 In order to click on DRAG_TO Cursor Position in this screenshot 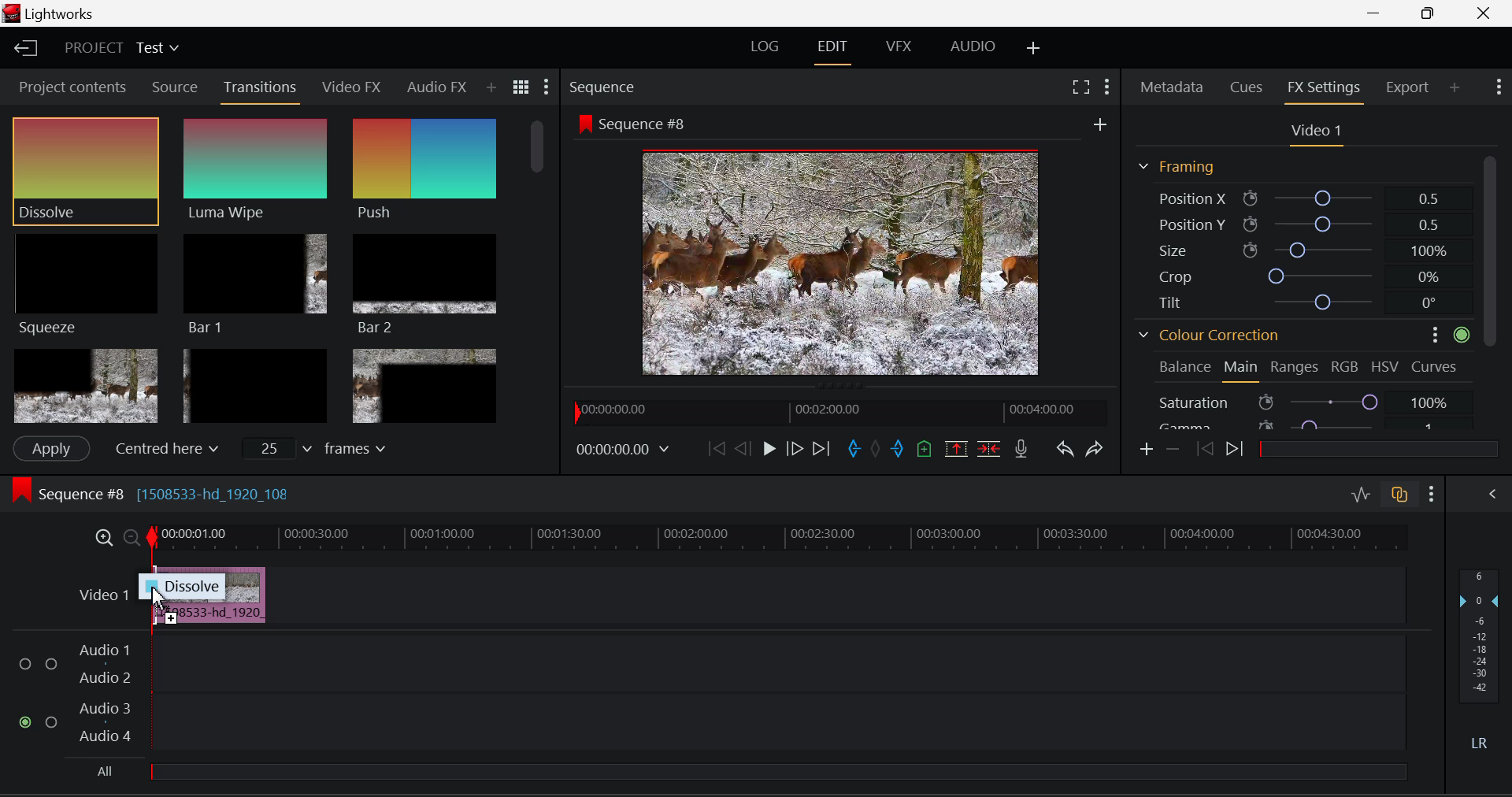, I will do `click(161, 605)`.